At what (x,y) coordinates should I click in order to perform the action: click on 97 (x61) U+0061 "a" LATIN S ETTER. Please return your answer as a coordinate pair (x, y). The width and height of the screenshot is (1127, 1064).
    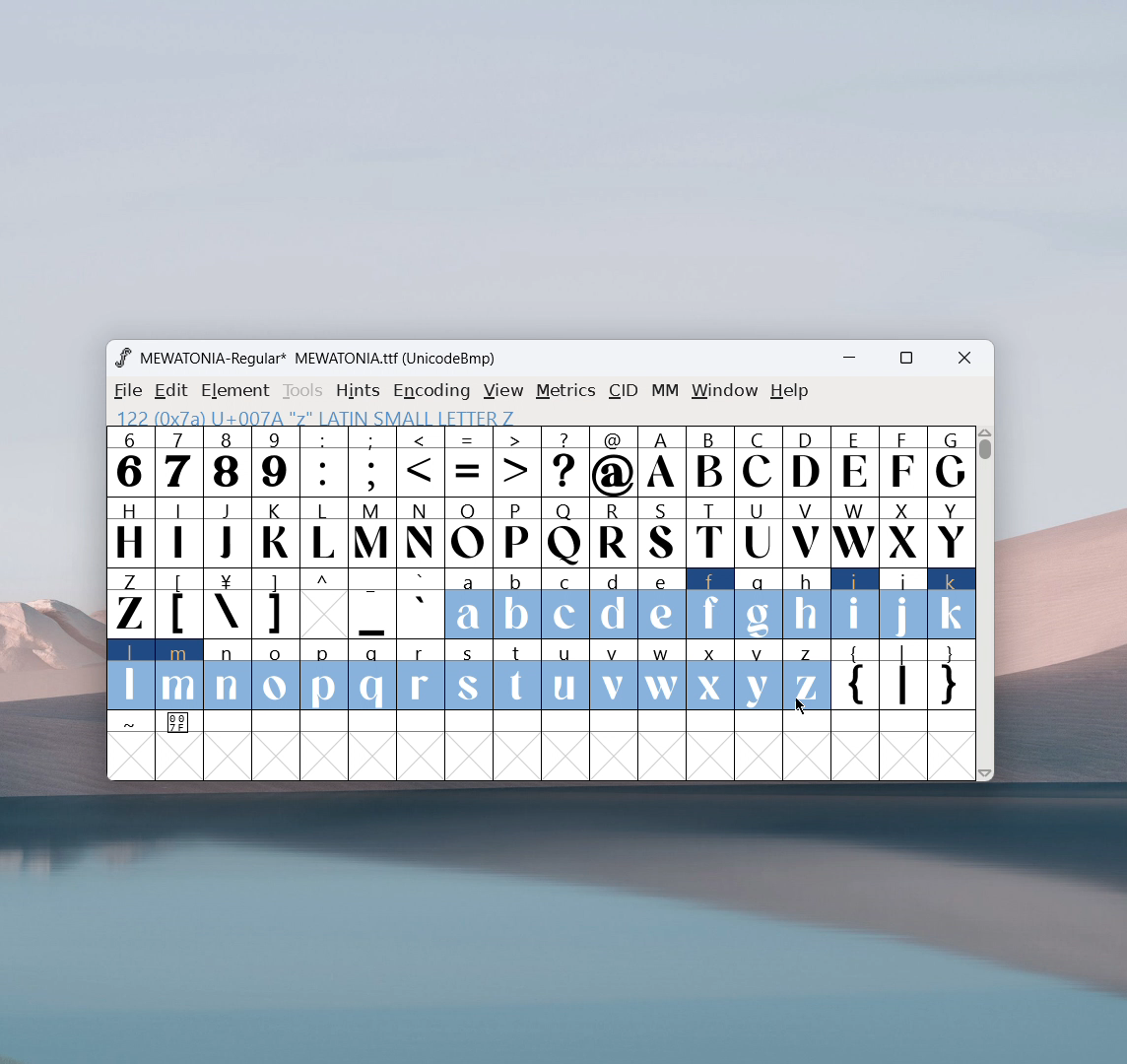
    Looking at the image, I should click on (310, 416).